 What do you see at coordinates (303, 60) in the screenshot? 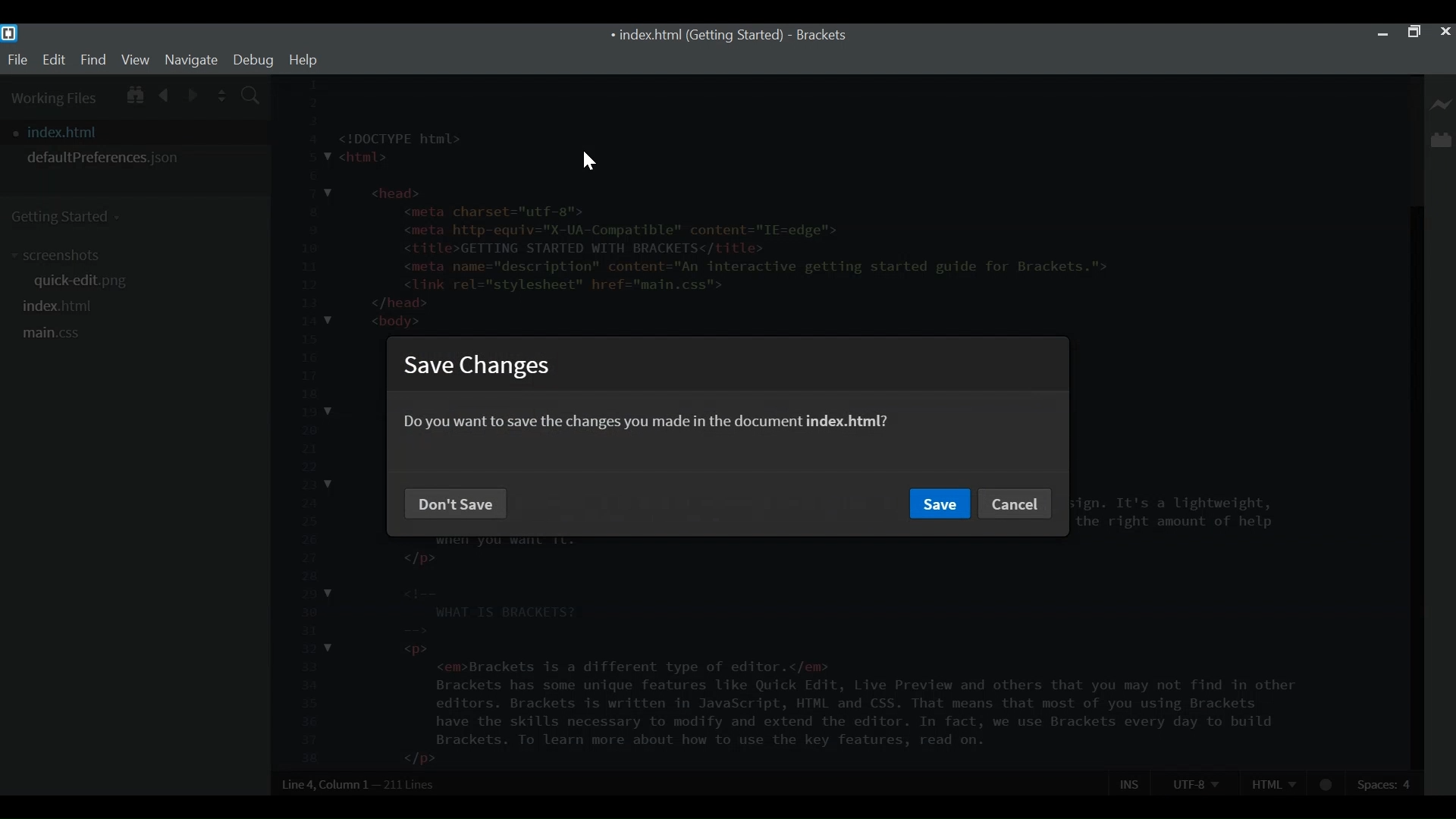
I see `help` at bounding box center [303, 60].